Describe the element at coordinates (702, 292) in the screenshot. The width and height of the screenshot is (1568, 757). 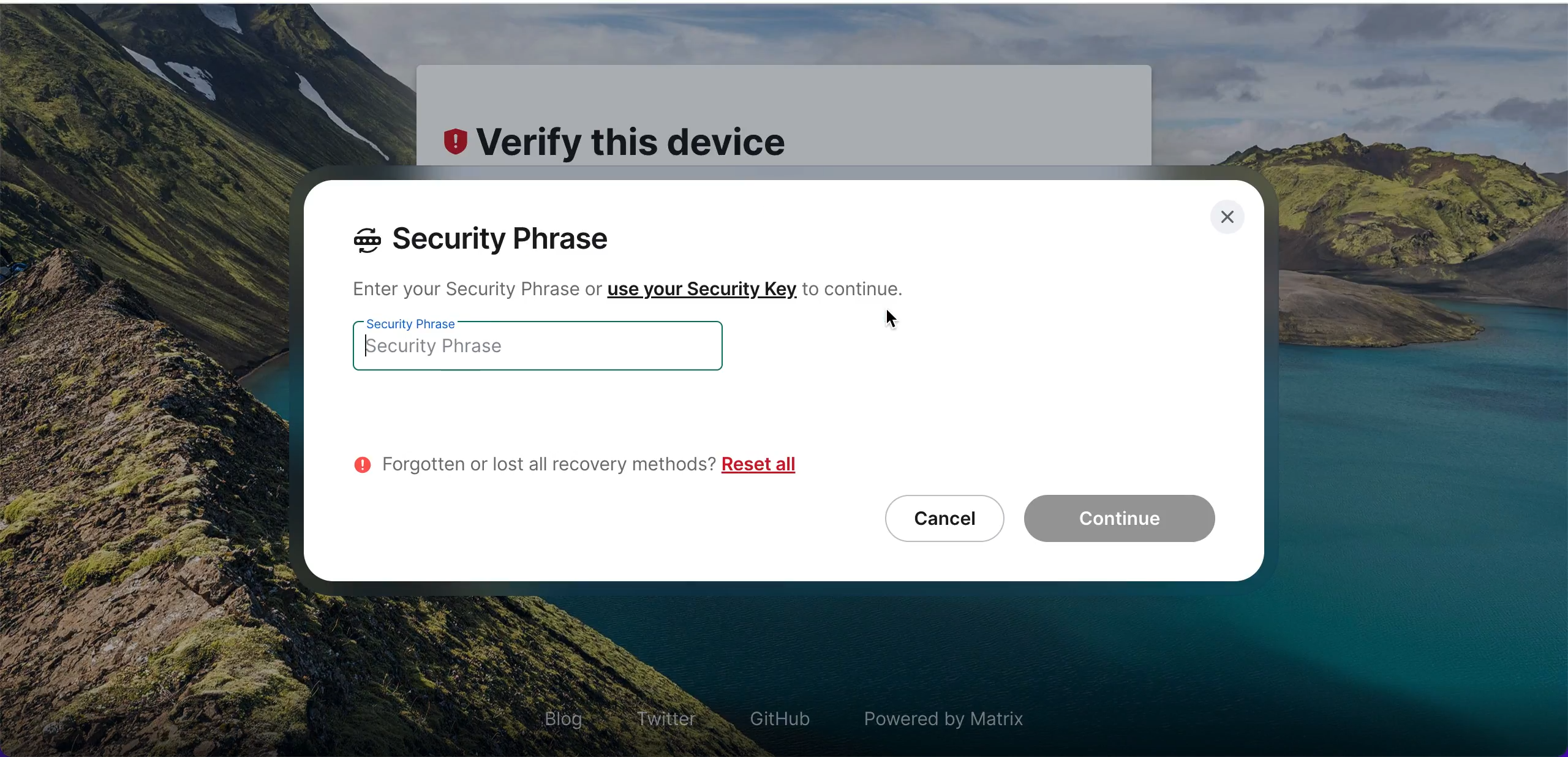
I see `use your security key` at that location.